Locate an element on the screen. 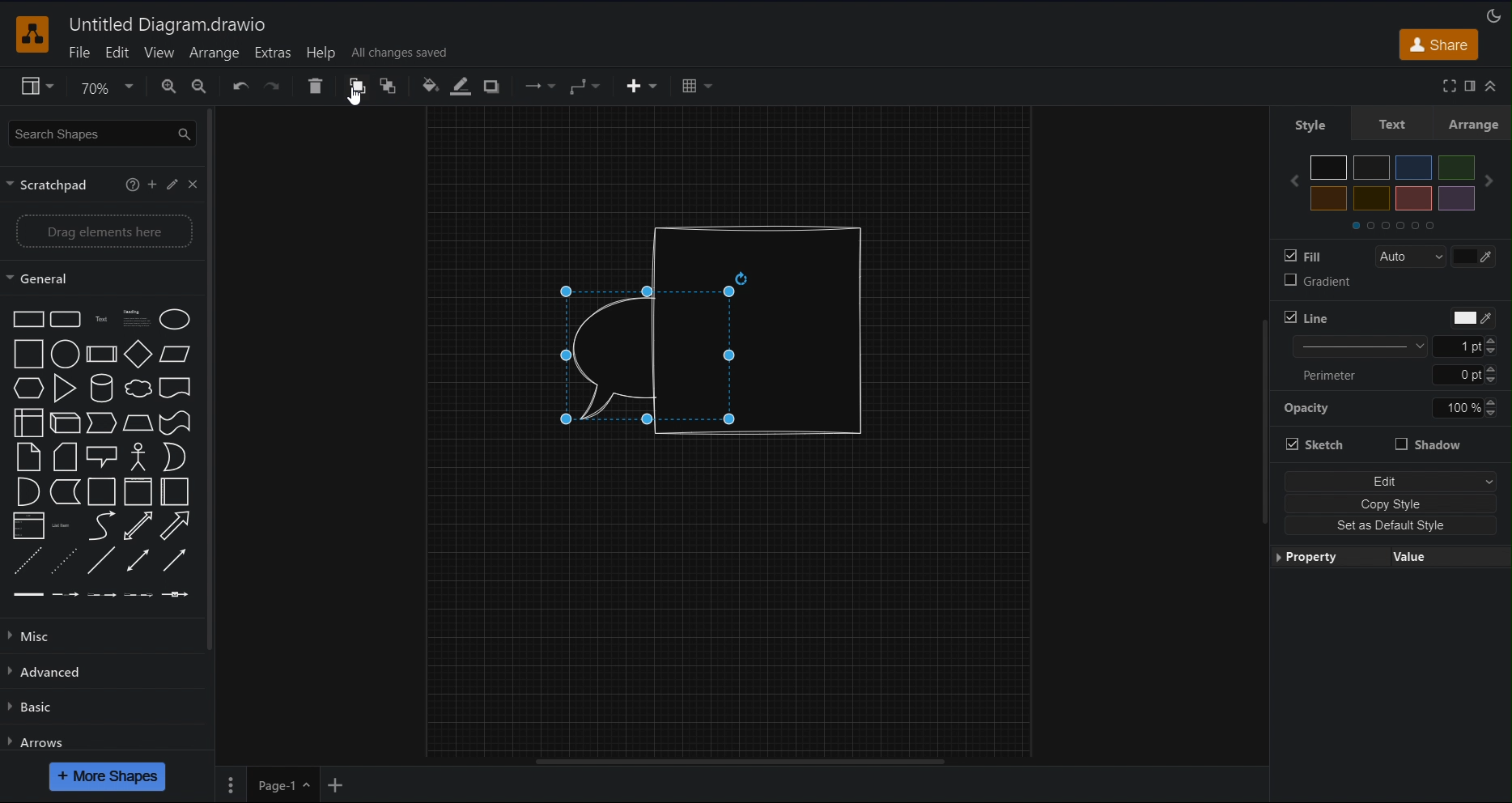 Image resolution: width=1512 pixels, height=803 pixels. Link is located at coordinates (29, 525).